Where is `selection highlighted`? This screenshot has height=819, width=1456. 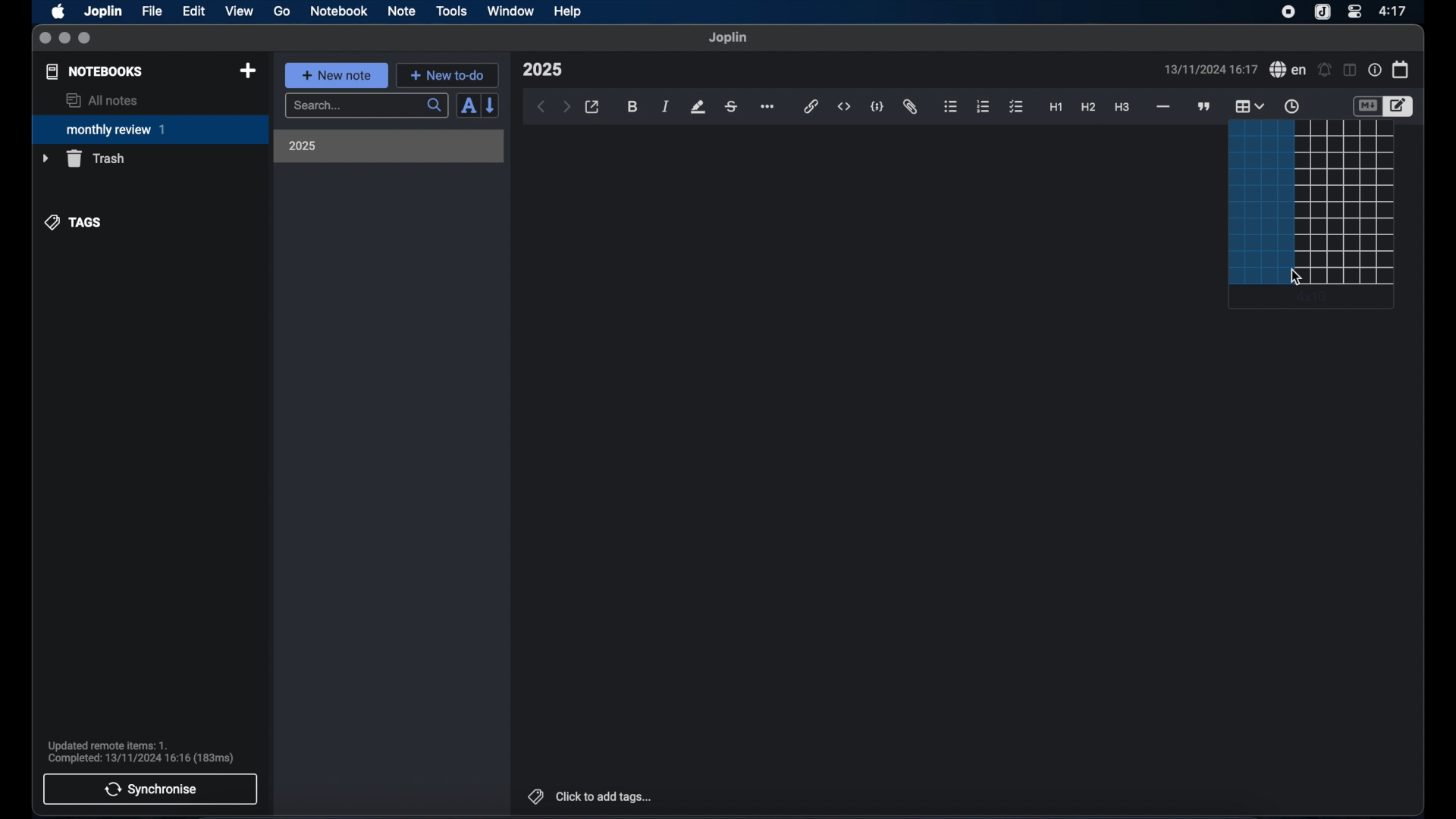
selection highlighted is located at coordinates (1260, 202).